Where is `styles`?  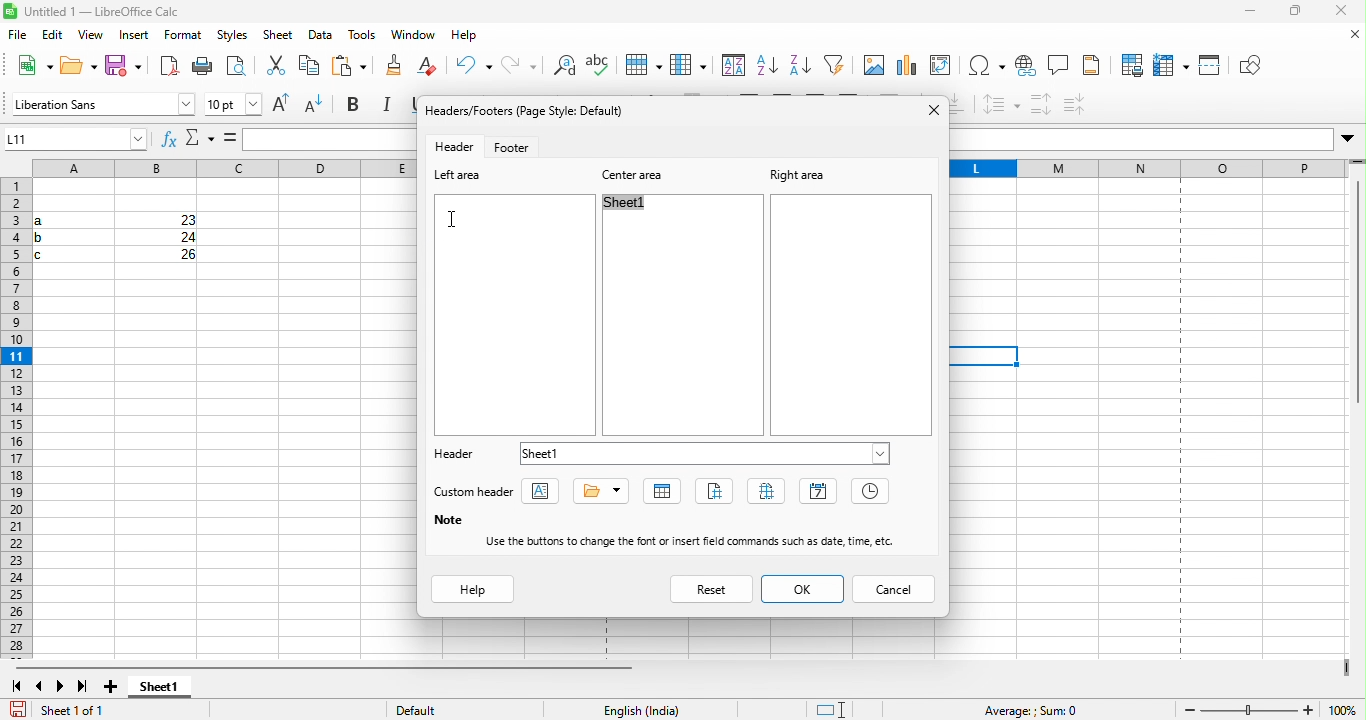
styles is located at coordinates (228, 39).